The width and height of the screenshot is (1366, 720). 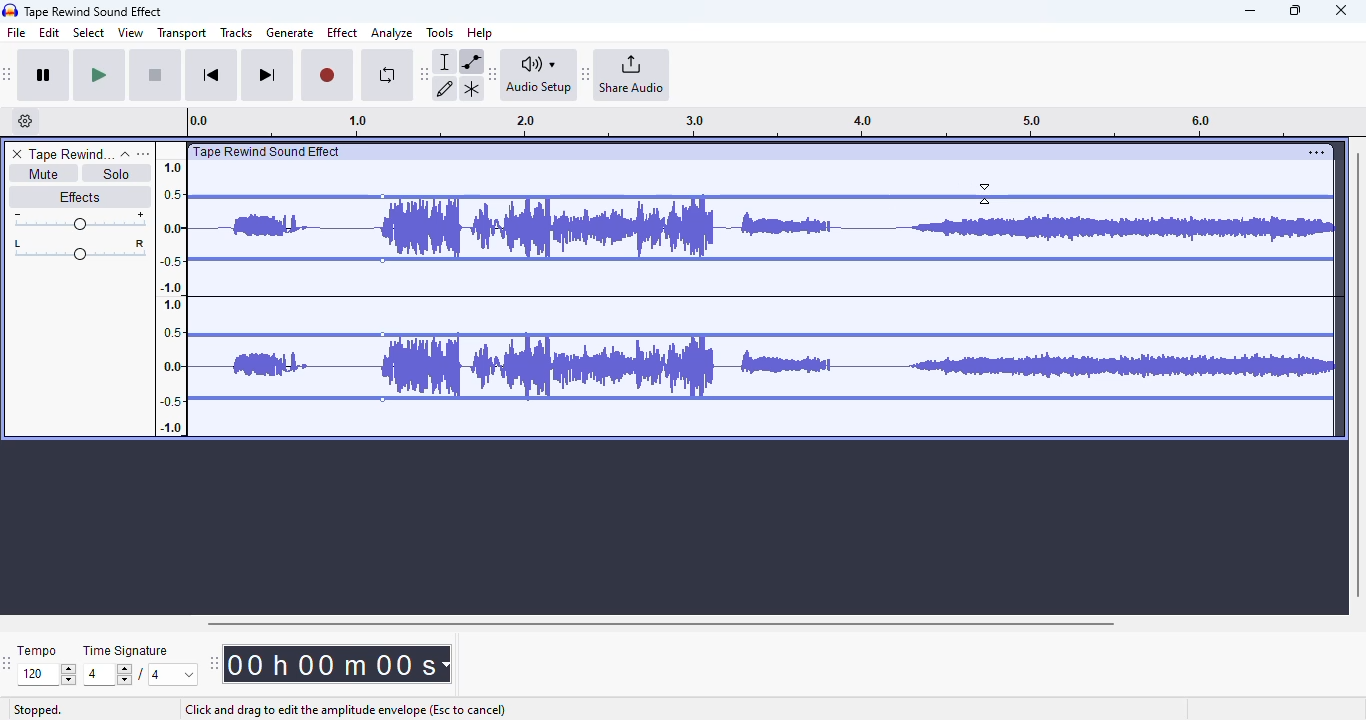 I want to click on track name, so click(x=71, y=155).